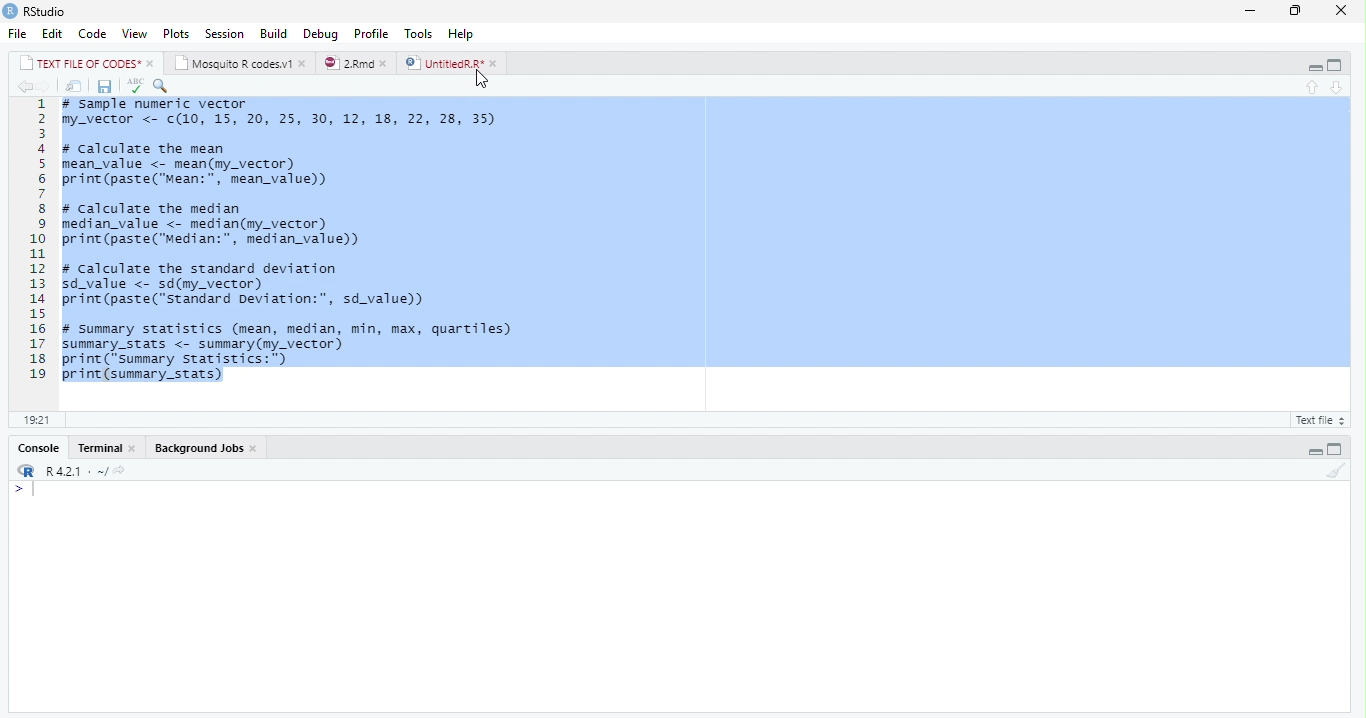 The image size is (1366, 718). What do you see at coordinates (24, 472) in the screenshot?
I see `icon` at bounding box center [24, 472].